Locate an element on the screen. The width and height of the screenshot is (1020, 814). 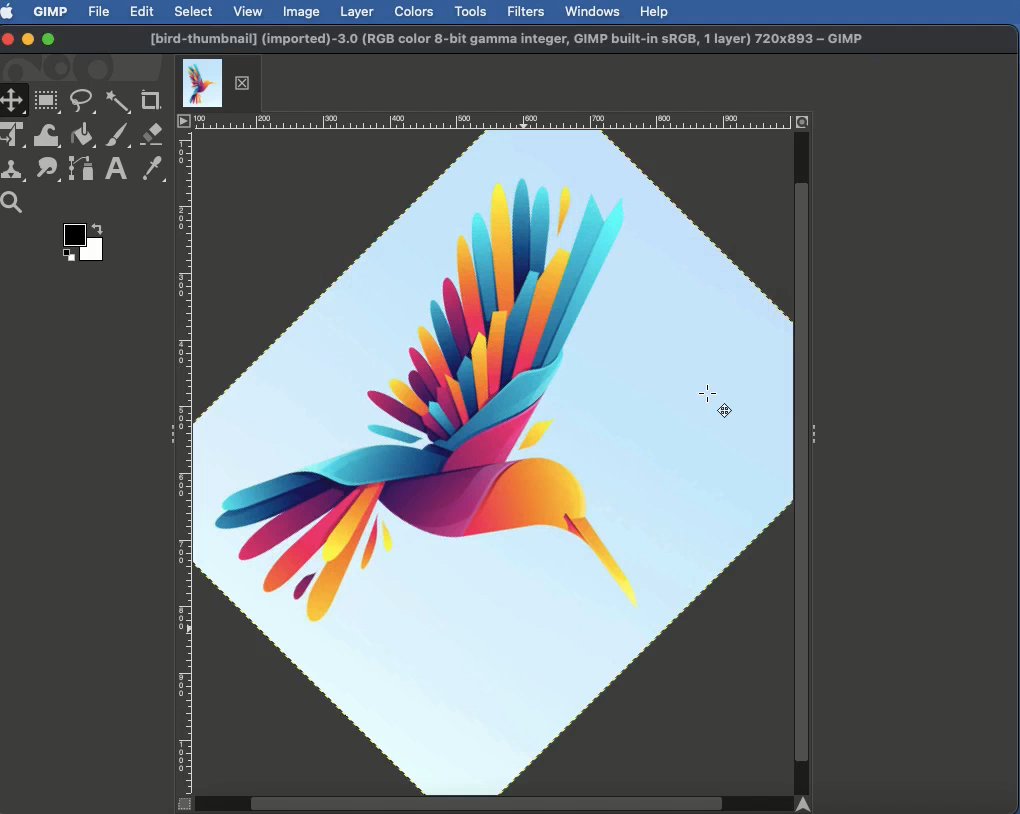
Maximize is located at coordinates (48, 41).